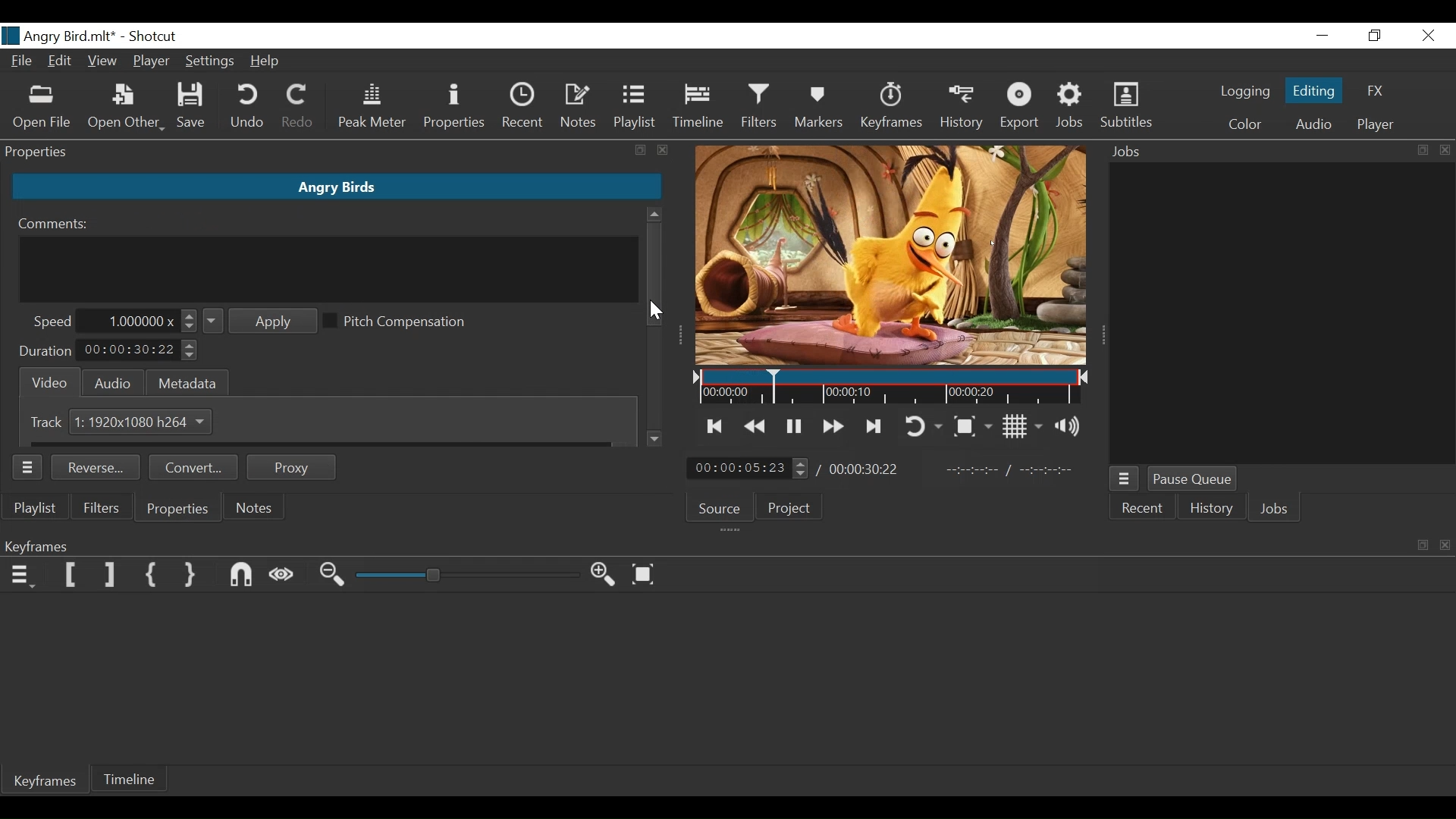  What do you see at coordinates (724, 544) in the screenshot?
I see `Keyframe Panel` at bounding box center [724, 544].